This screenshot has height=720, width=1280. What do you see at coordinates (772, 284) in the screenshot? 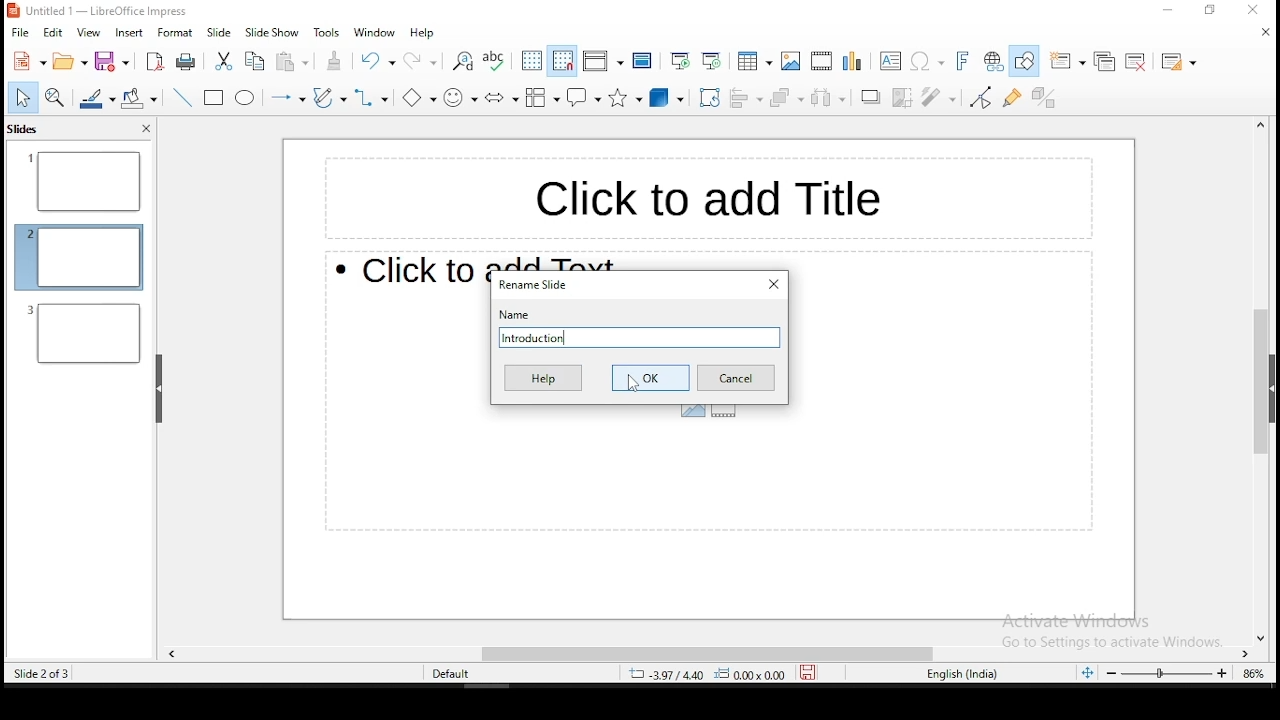
I see `close window` at bounding box center [772, 284].